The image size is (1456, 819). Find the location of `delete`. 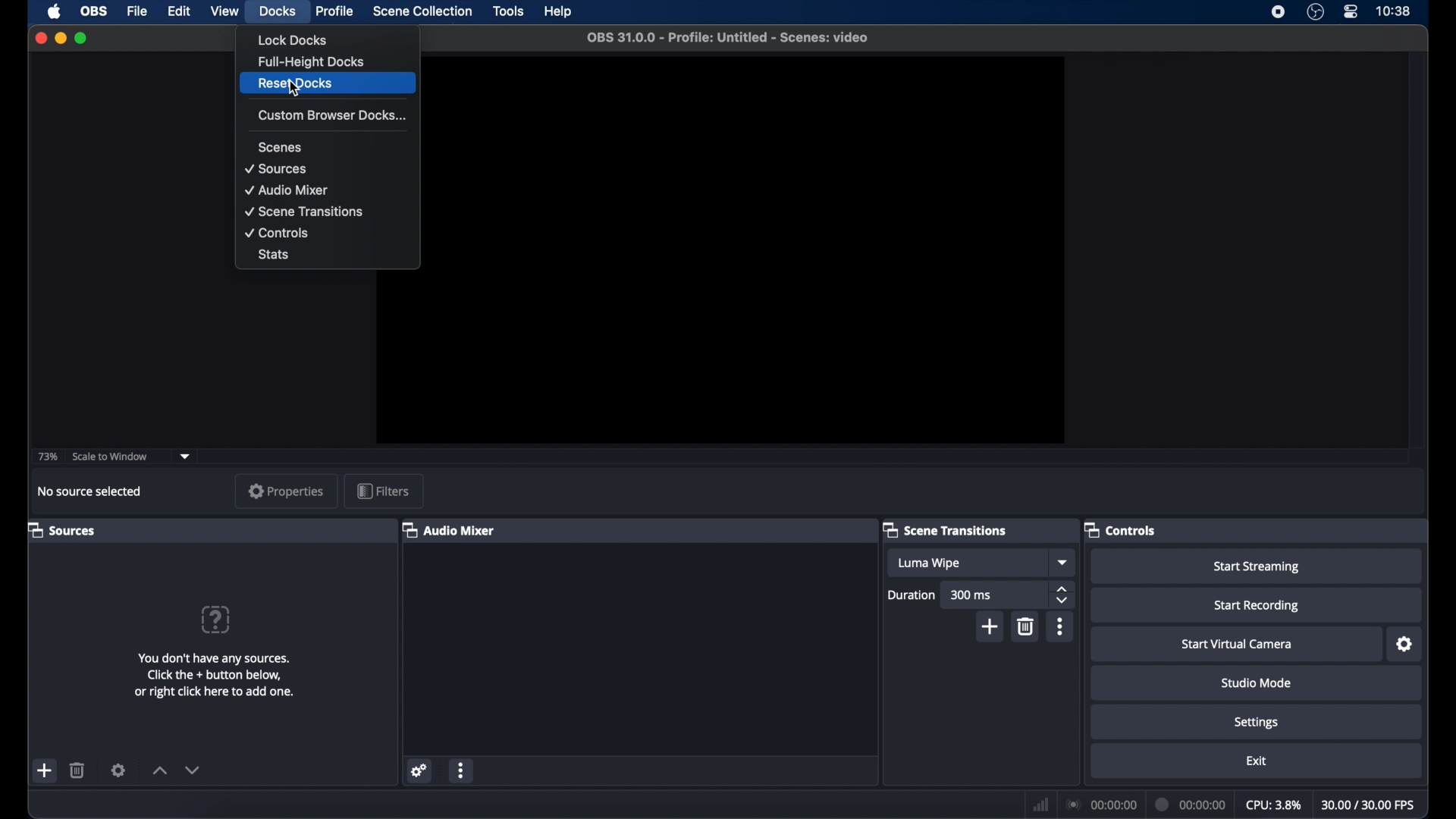

delete is located at coordinates (1028, 627).